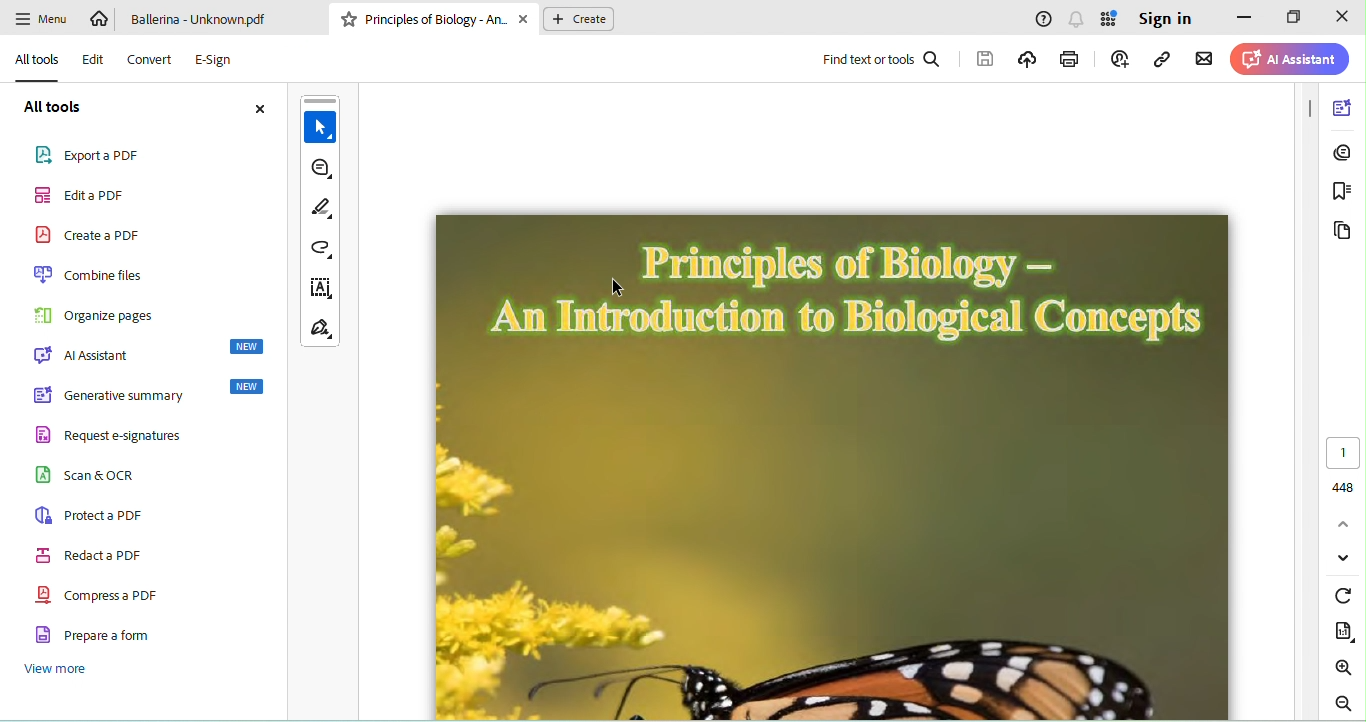 The image size is (1366, 722). What do you see at coordinates (1343, 703) in the screenshot?
I see `zoom out` at bounding box center [1343, 703].